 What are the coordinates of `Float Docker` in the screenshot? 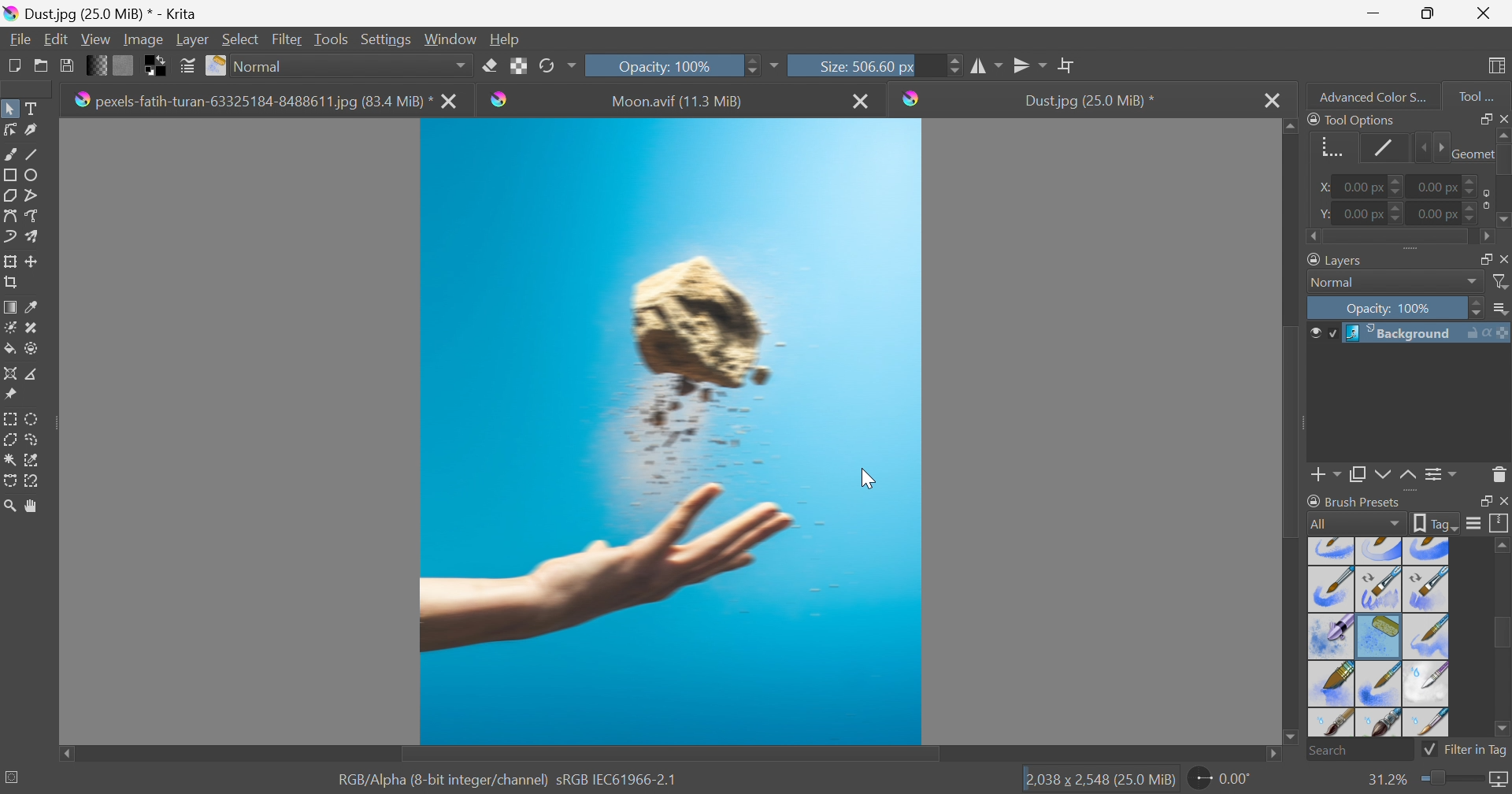 It's located at (1503, 258).